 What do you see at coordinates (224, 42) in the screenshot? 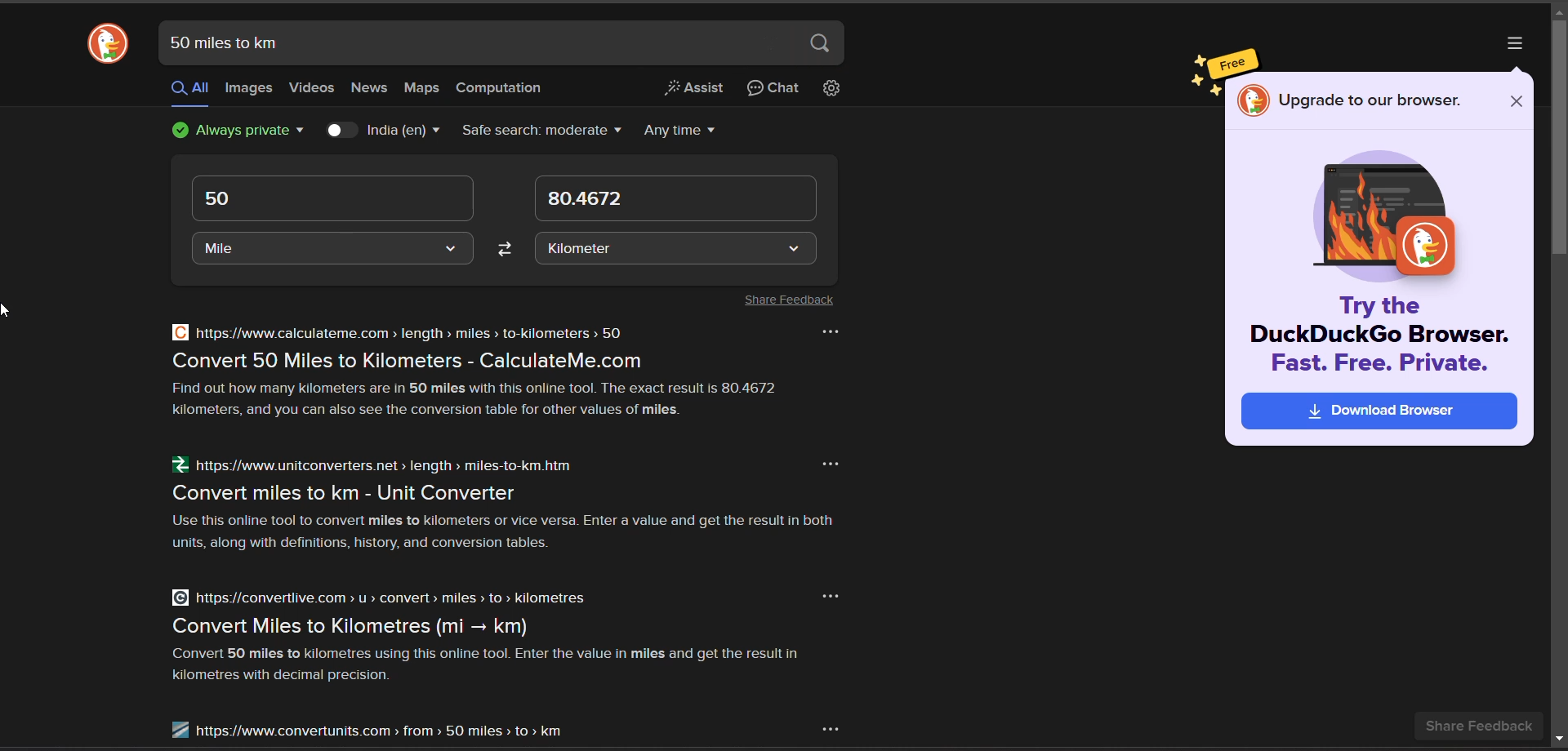
I see `50miles to km` at bounding box center [224, 42].